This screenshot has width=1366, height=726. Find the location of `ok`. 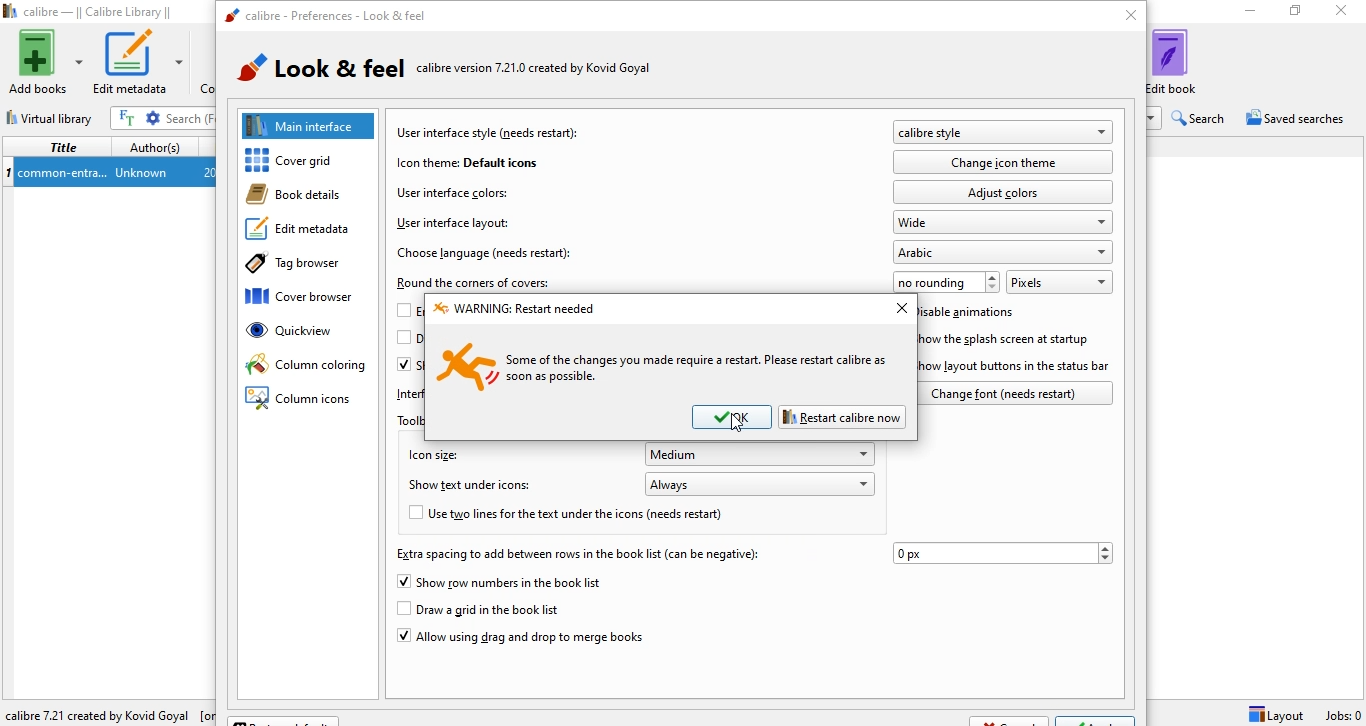

ok is located at coordinates (733, 417).